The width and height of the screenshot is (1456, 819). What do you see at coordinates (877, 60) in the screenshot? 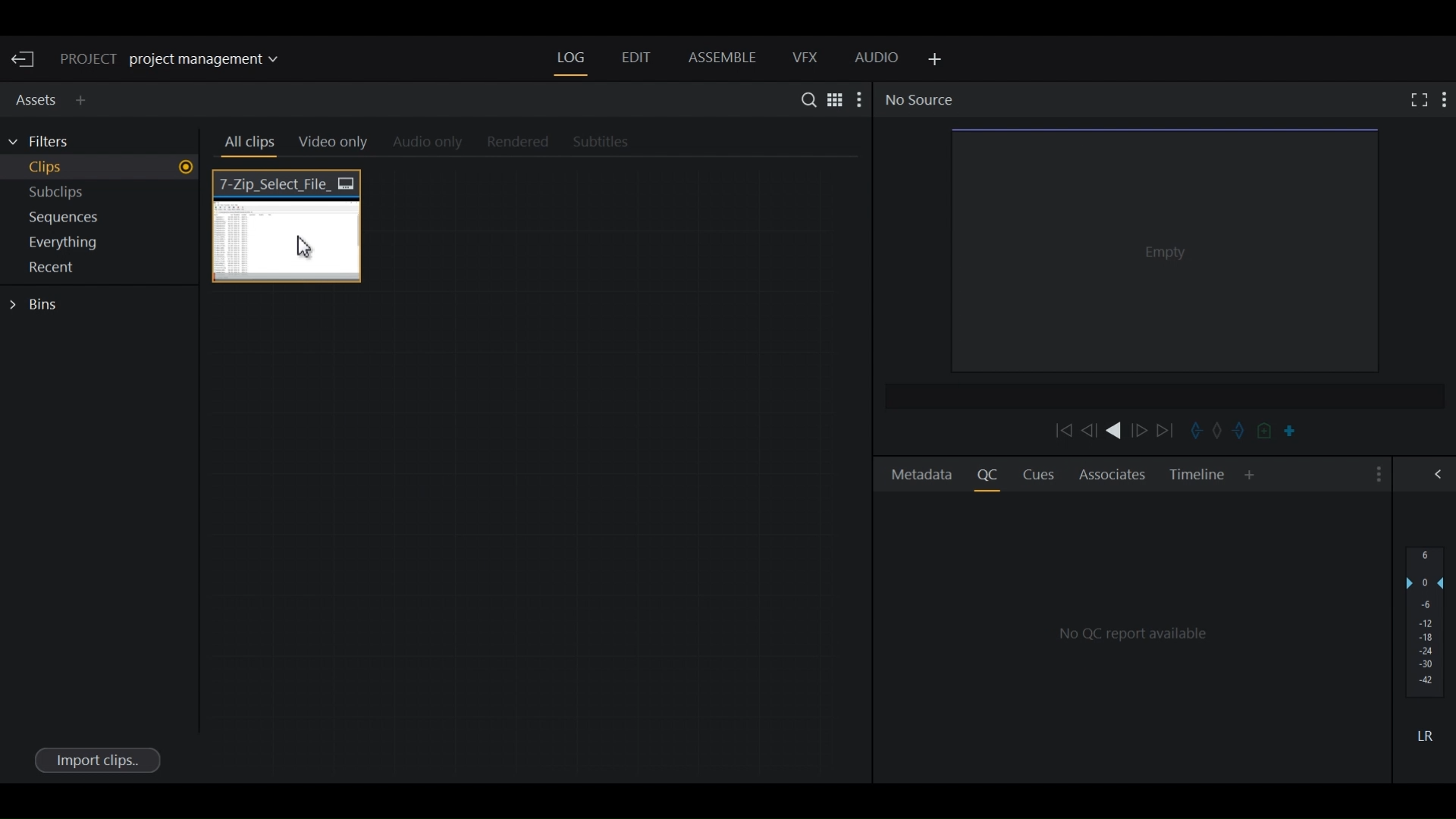
I see `Audio` at bounding box center [877, 60].